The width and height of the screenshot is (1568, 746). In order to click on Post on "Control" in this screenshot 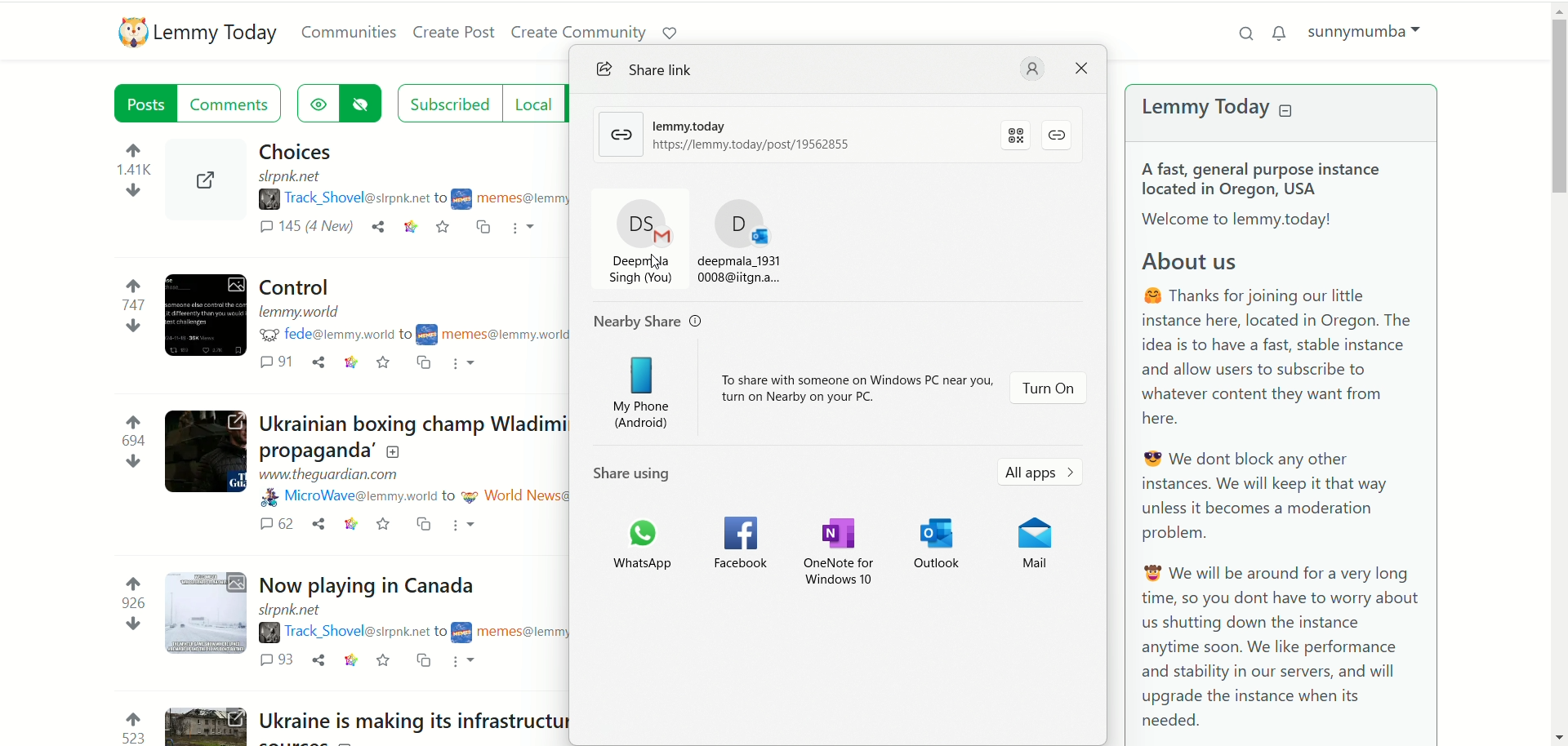, I will do `click(301, 286)`.